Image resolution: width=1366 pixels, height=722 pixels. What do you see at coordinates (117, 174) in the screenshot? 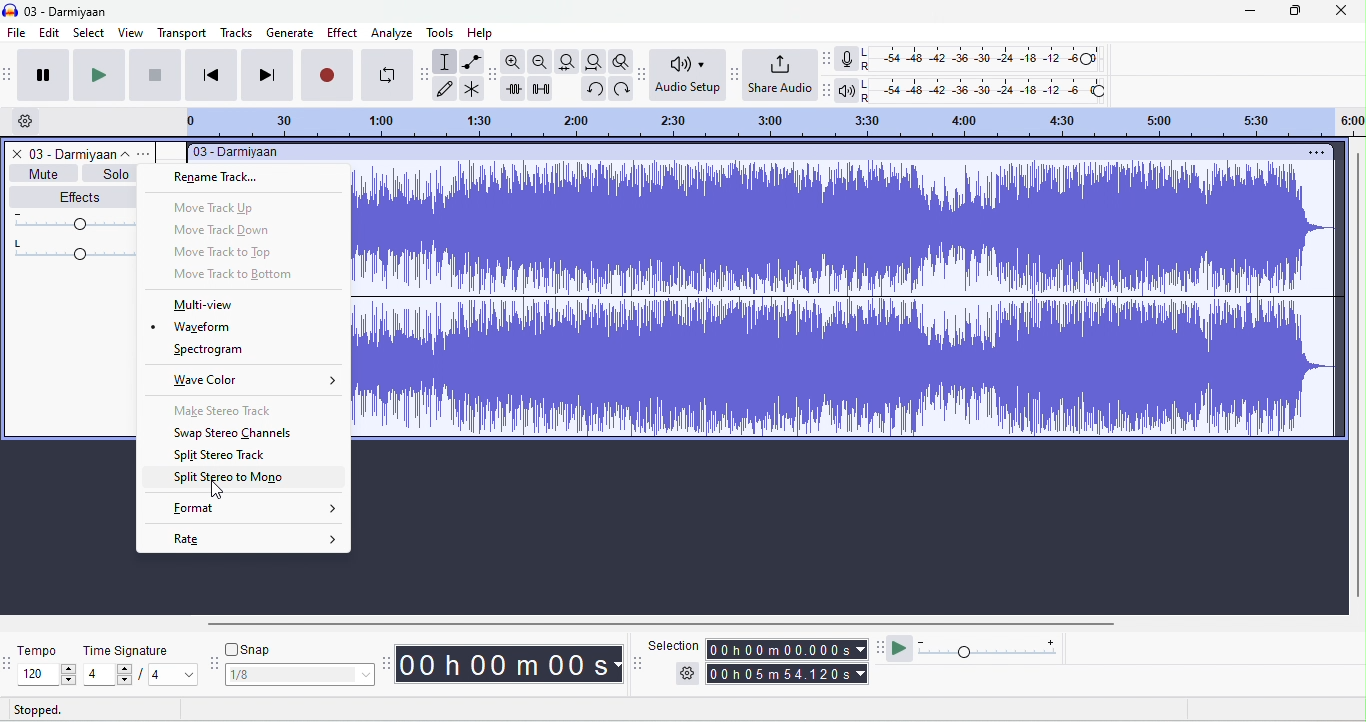
I see `solo` at bounding box center [117, 174].